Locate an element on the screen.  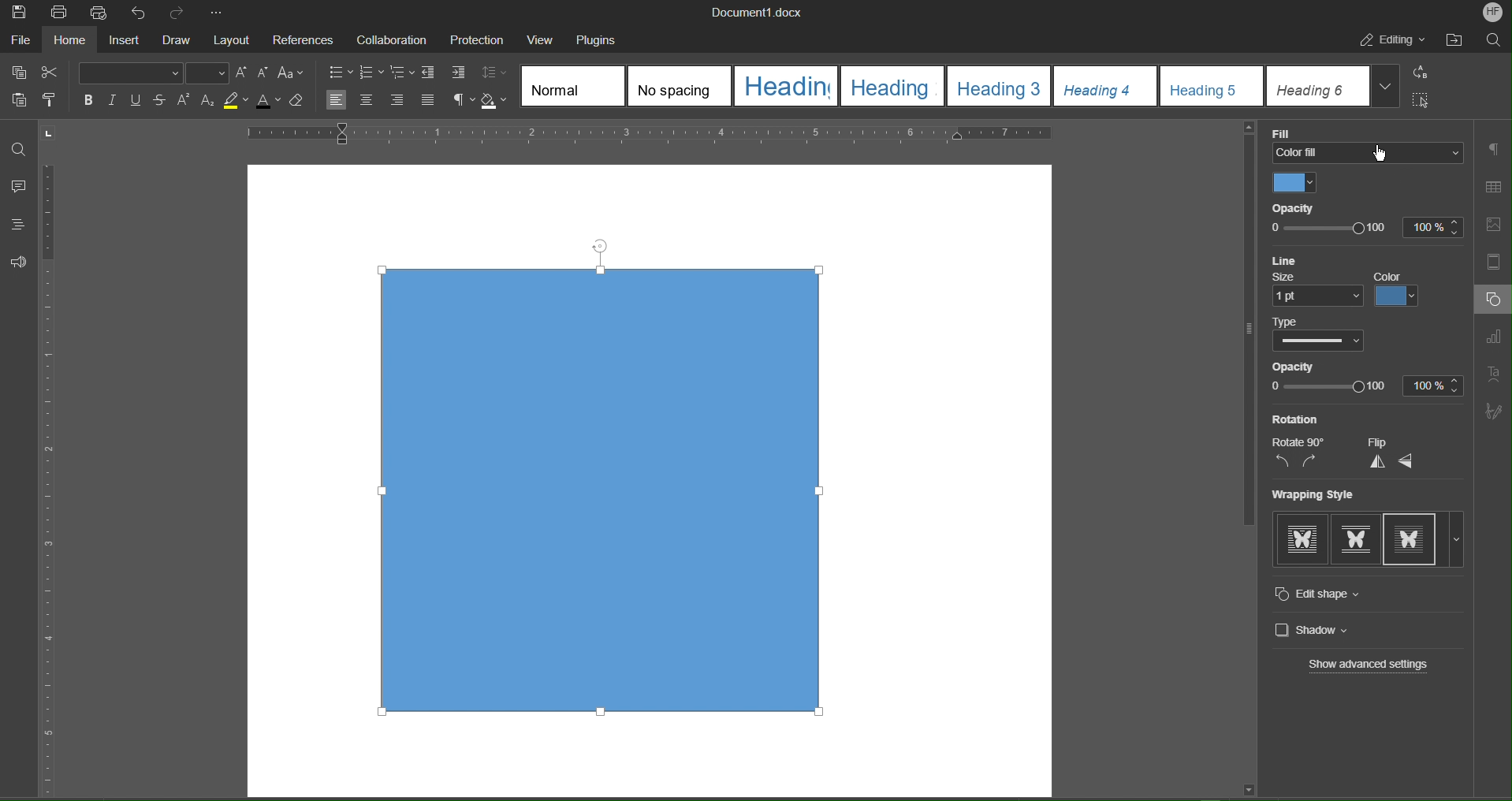
Insert is located at coordinates (123, 39).